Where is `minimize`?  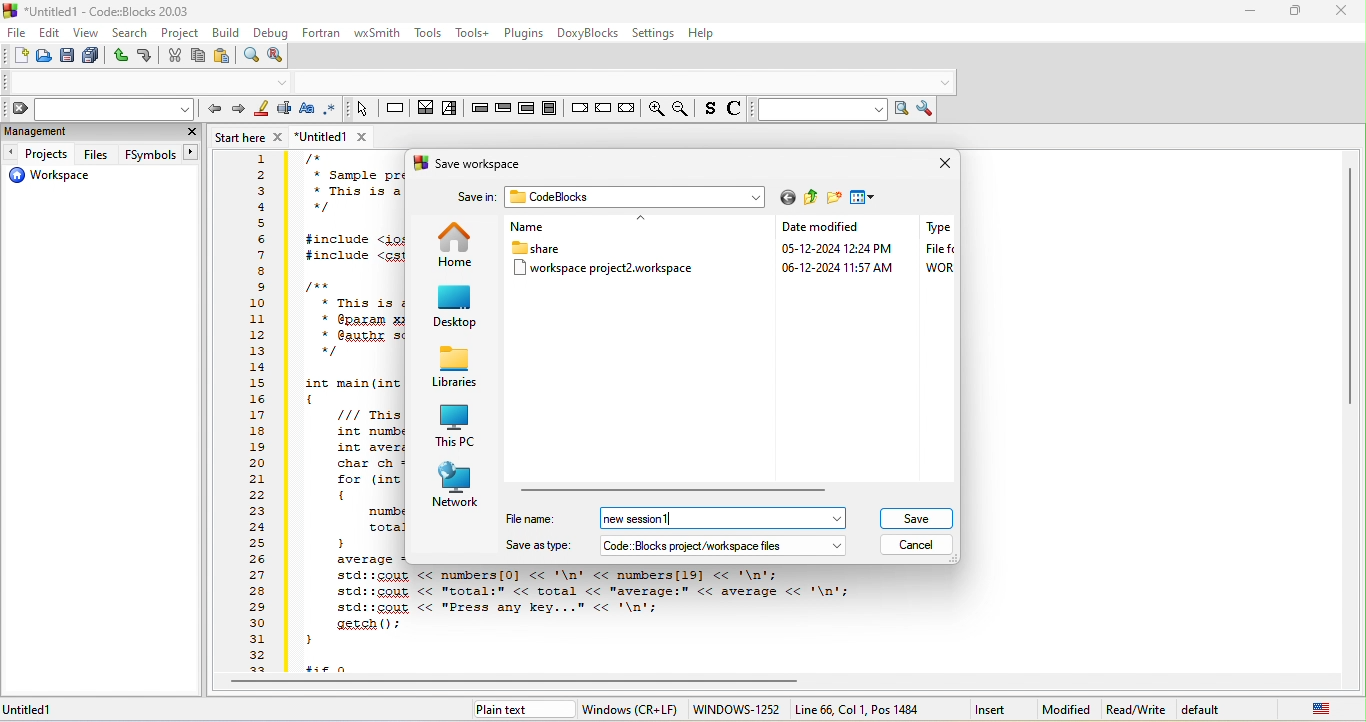 minimize is located at coordinates (1250, 11).